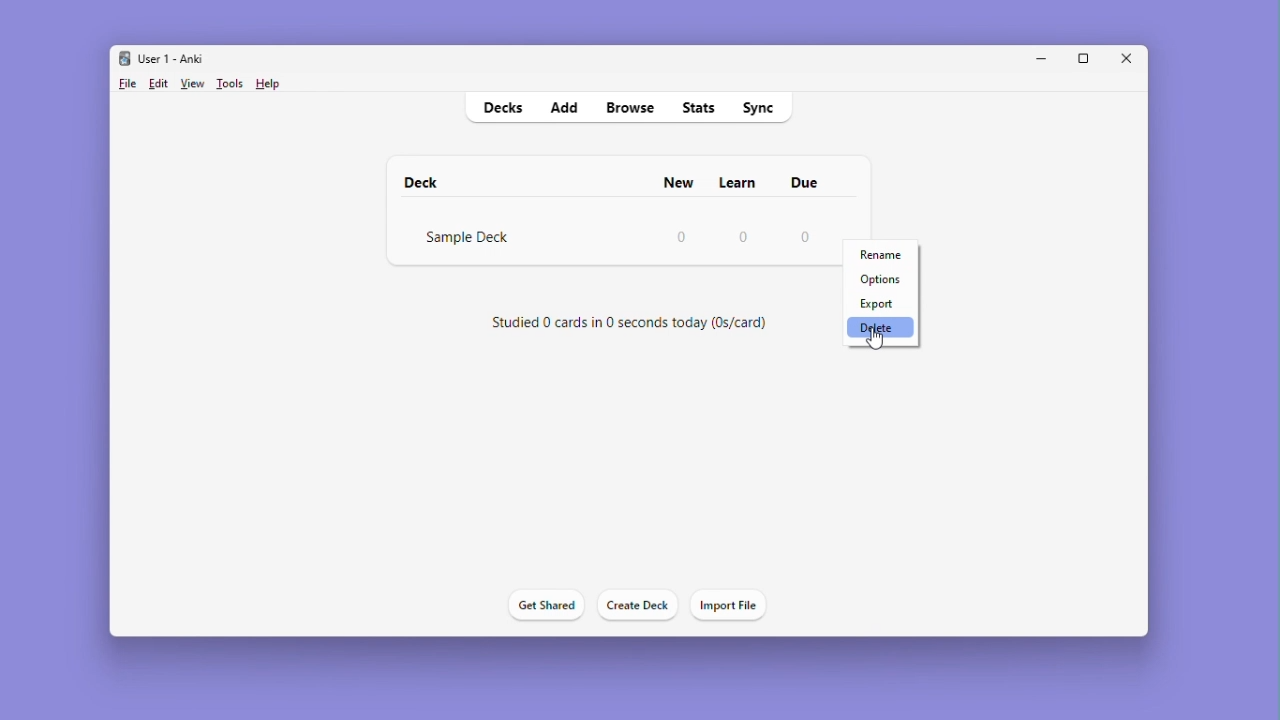 The width and height of the screenshot is (1280, 720). I want to click on Delete , so click(882, 332).